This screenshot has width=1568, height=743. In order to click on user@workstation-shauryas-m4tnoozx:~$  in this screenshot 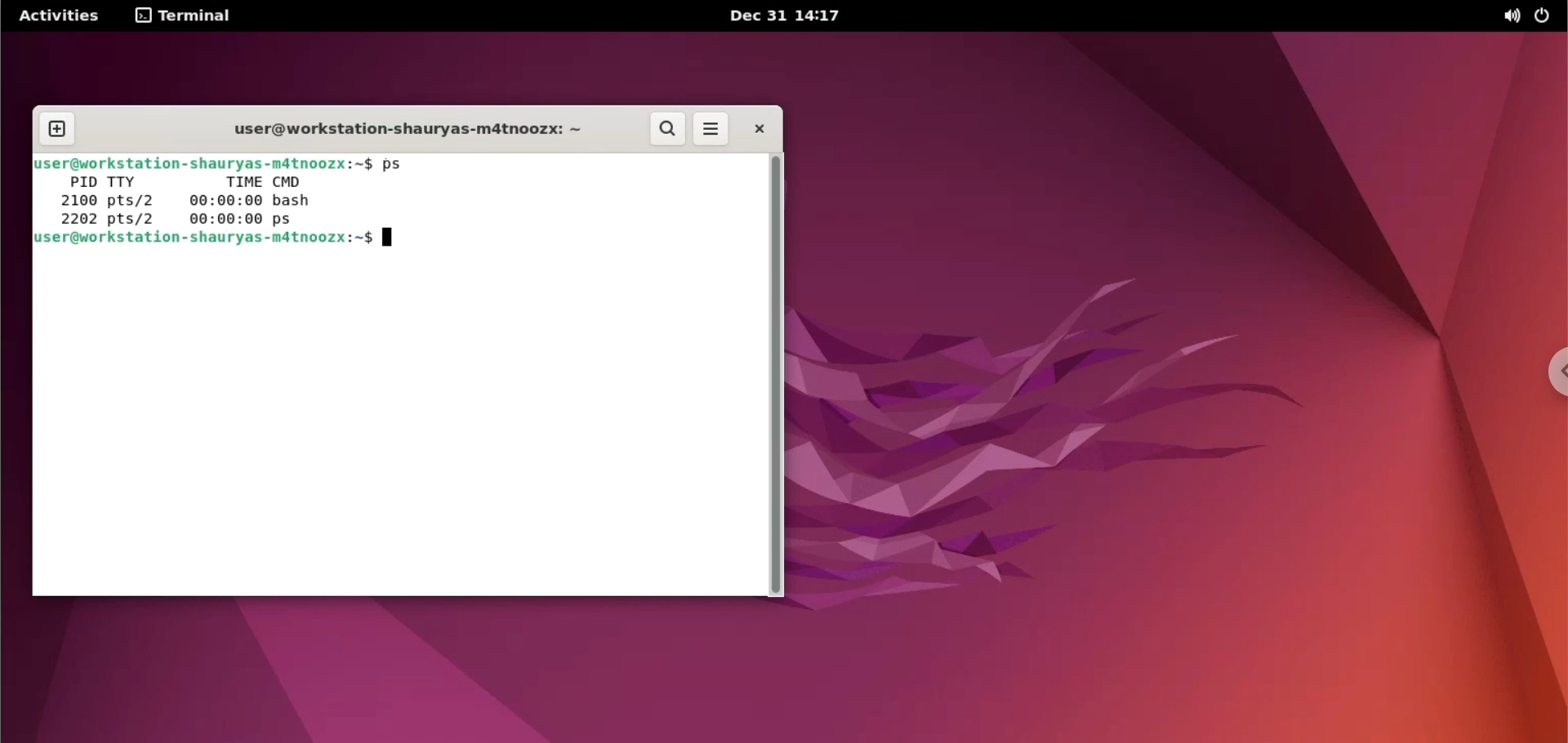, I will do `click(204, 238)`.